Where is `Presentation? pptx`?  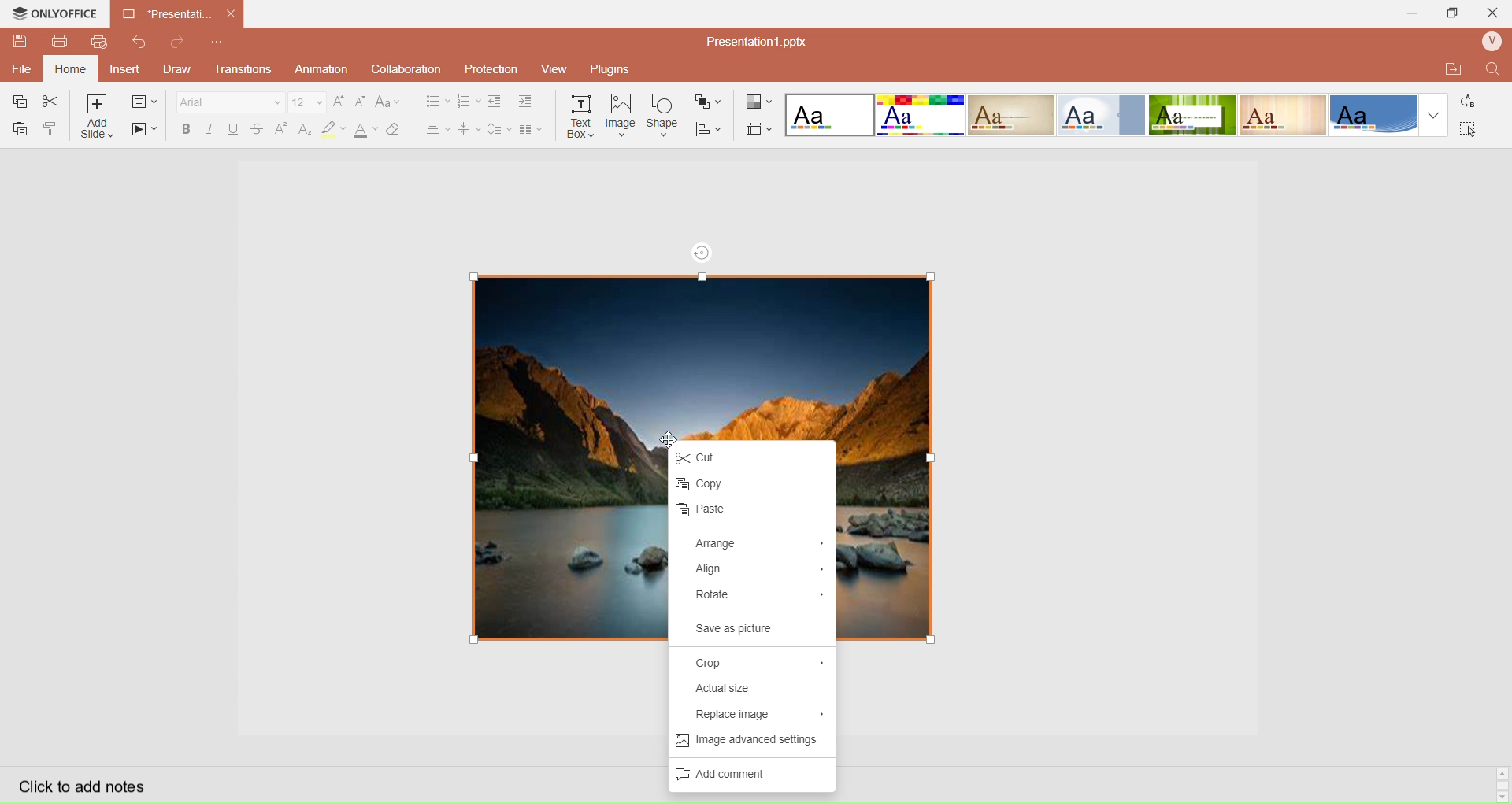
Presentation? pptx is located at coordinates (756, 41).